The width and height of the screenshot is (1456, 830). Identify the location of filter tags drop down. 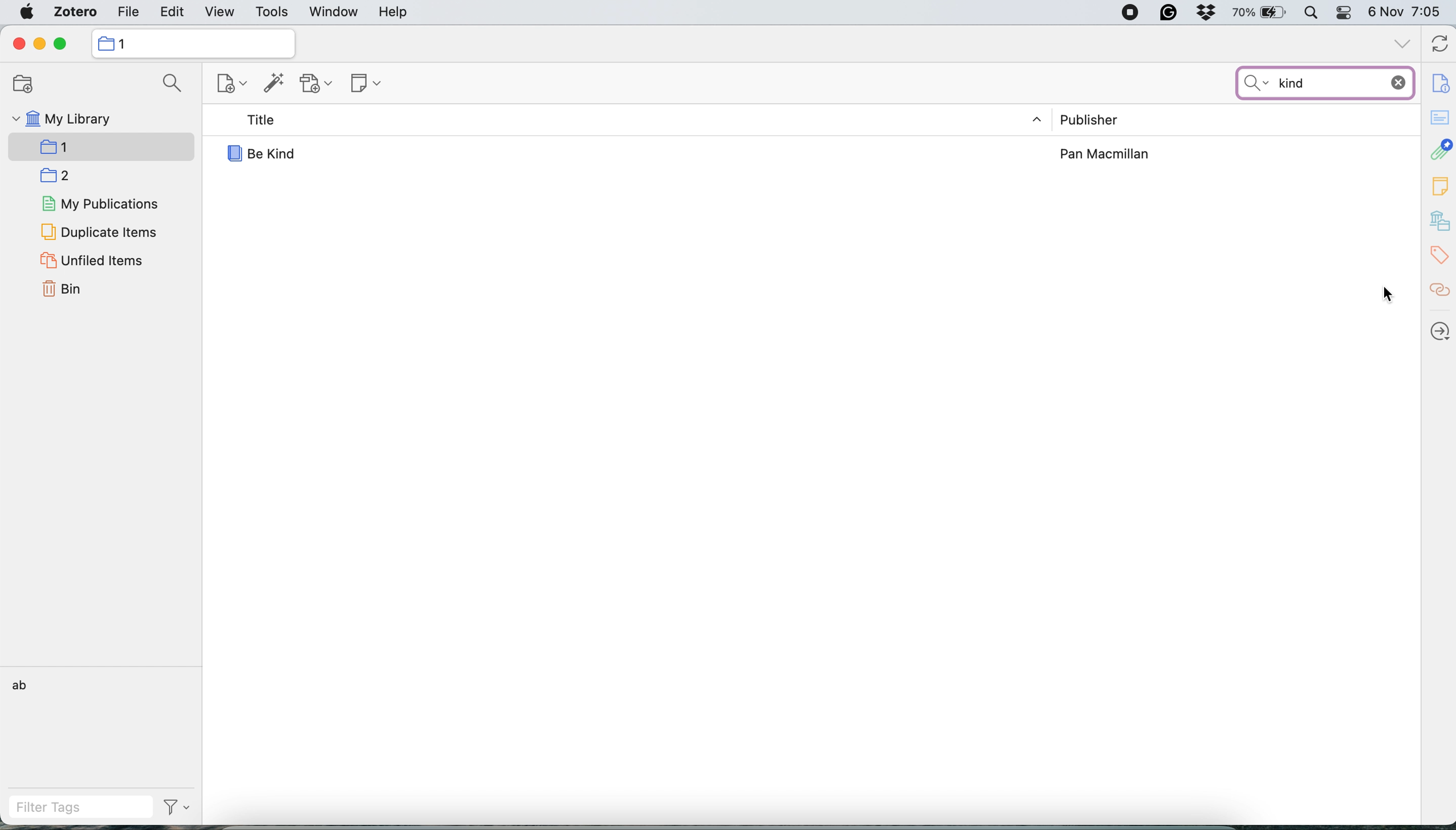
(180, 807).